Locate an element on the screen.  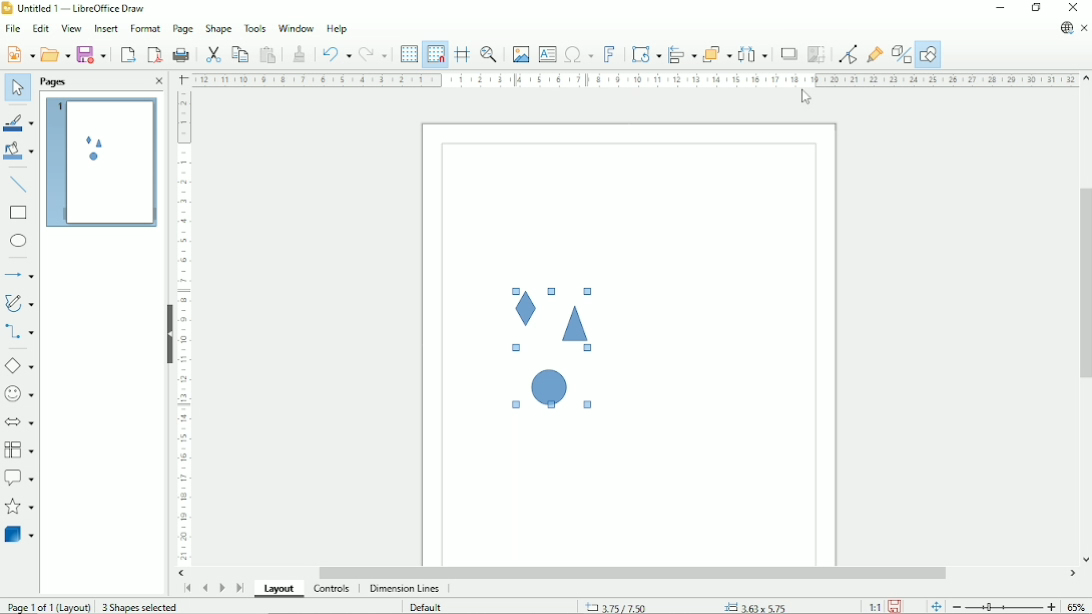
Display grid is located at coordinates (408, 53).